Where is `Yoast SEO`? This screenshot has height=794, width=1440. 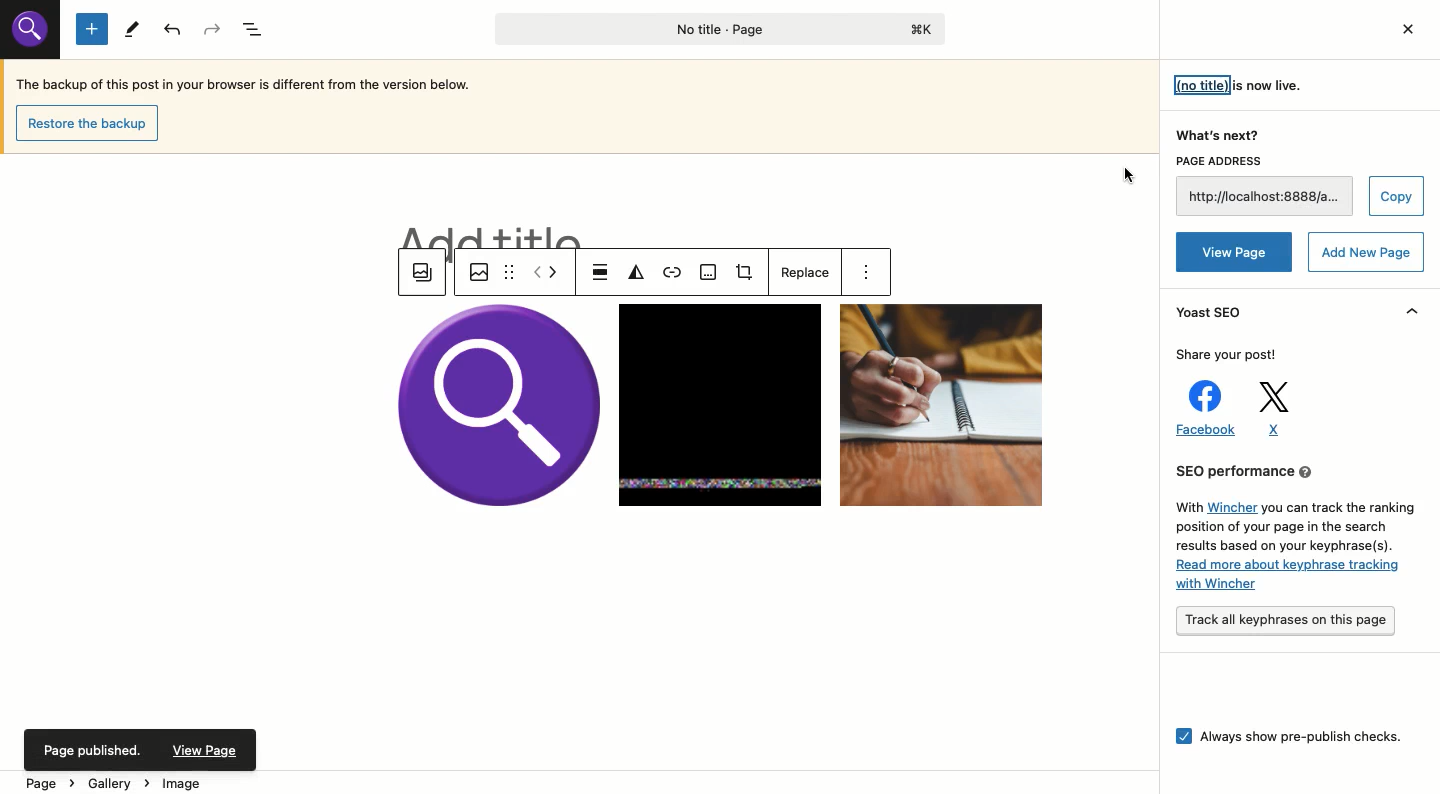
Yoast SEO is located at coordinates (1216, 317).